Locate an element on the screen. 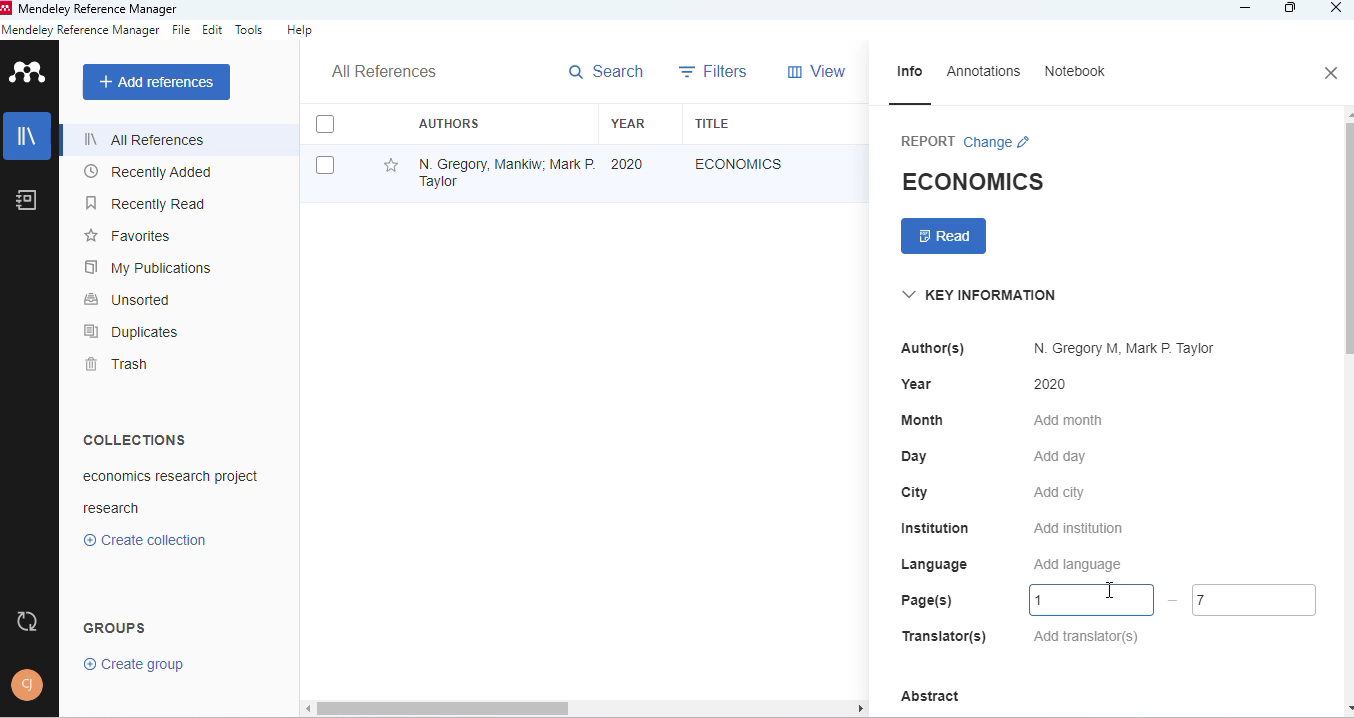 This screenshot has width=1354, height=718. favorites is located at coordinates (129, 236).